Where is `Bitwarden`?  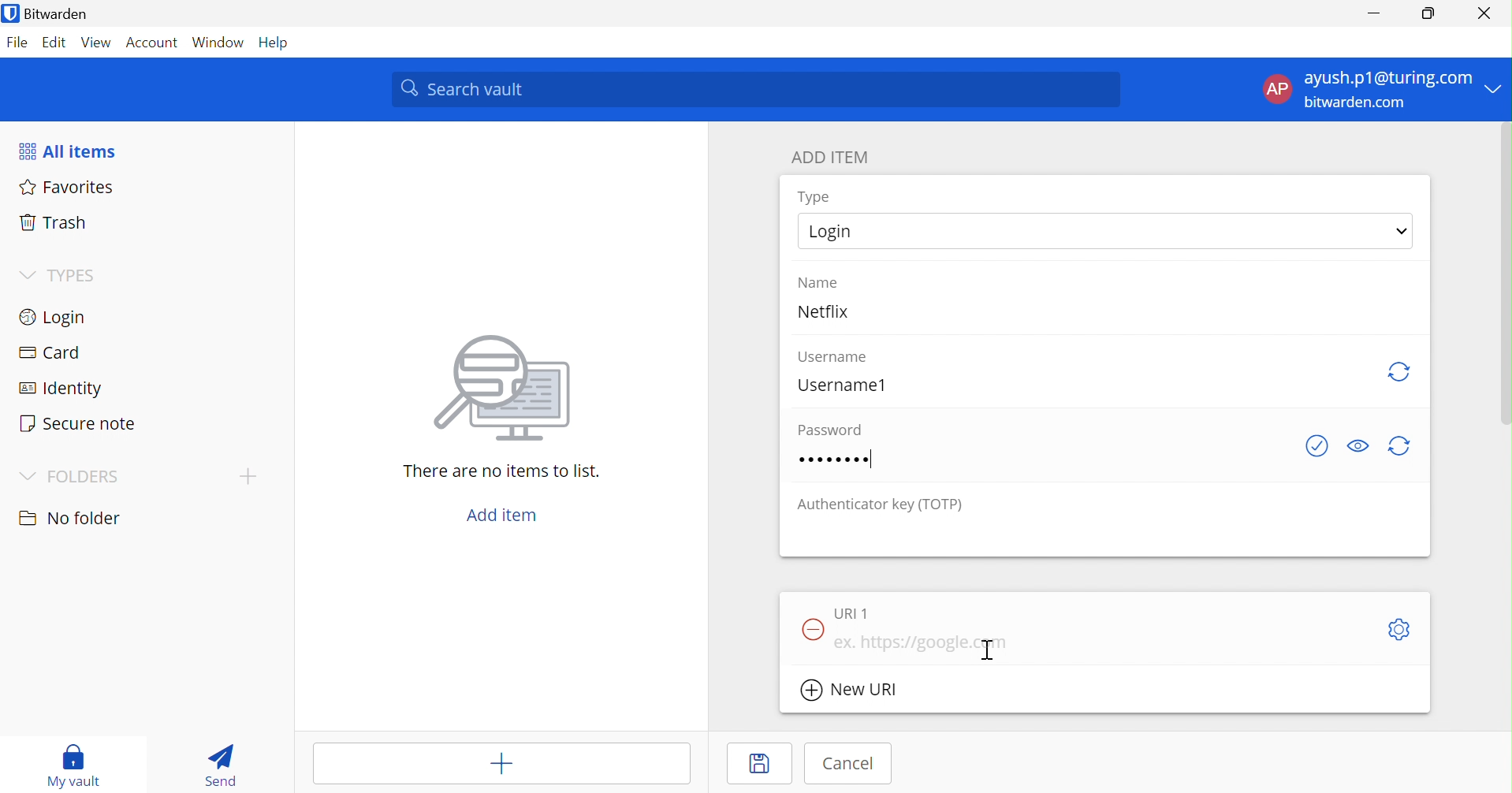
Bitwarden is located at coordinates (46, 13).